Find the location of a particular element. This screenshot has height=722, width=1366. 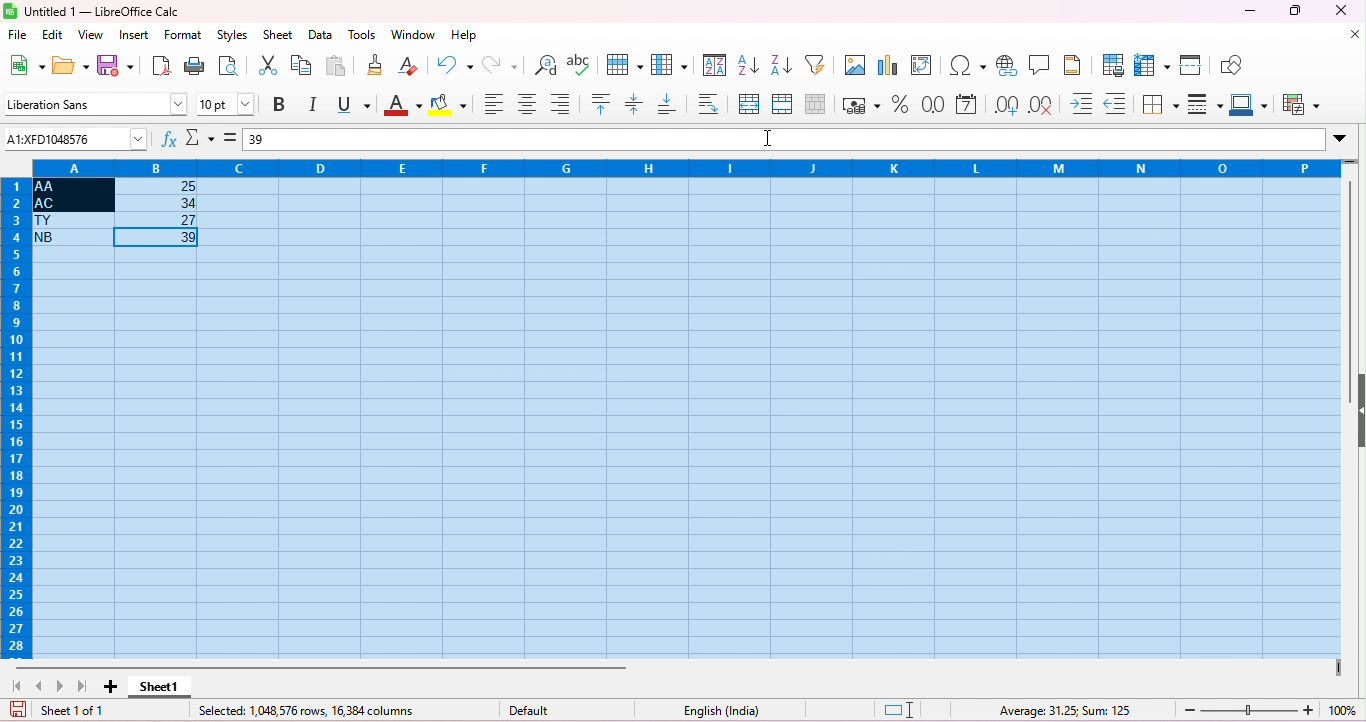

insert hyperlink is located at coordinates (1007, 65).